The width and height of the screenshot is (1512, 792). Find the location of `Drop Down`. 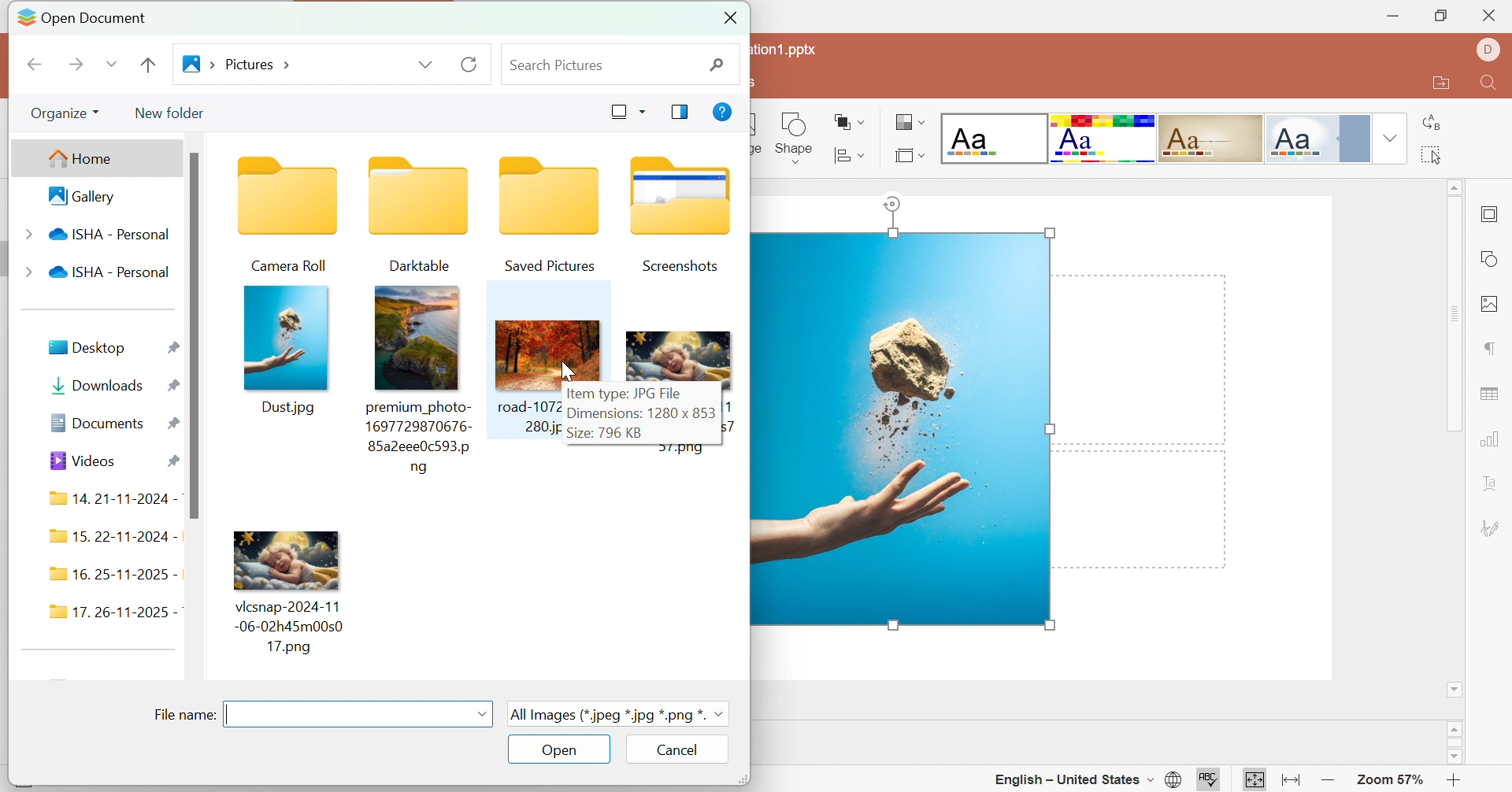

Drop Down is located at coordinates (481, 712).